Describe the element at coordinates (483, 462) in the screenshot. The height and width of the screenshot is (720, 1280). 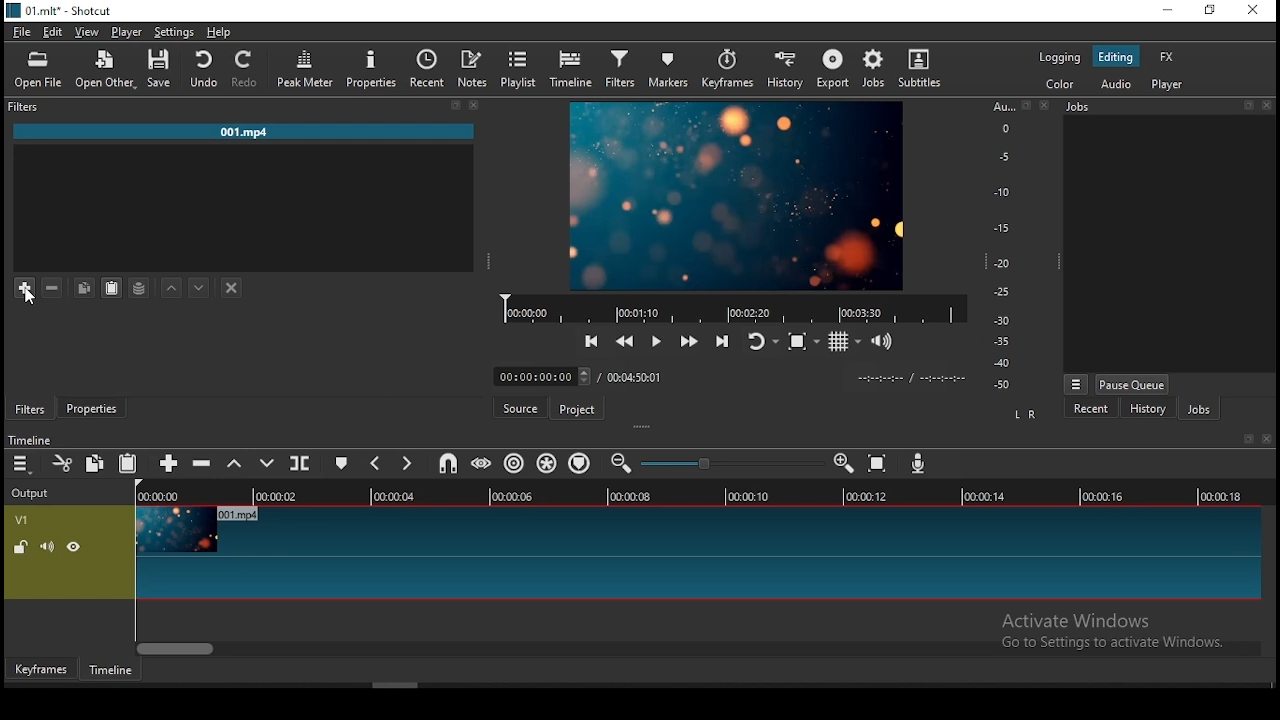
I see `scrub while dragging` at that location.